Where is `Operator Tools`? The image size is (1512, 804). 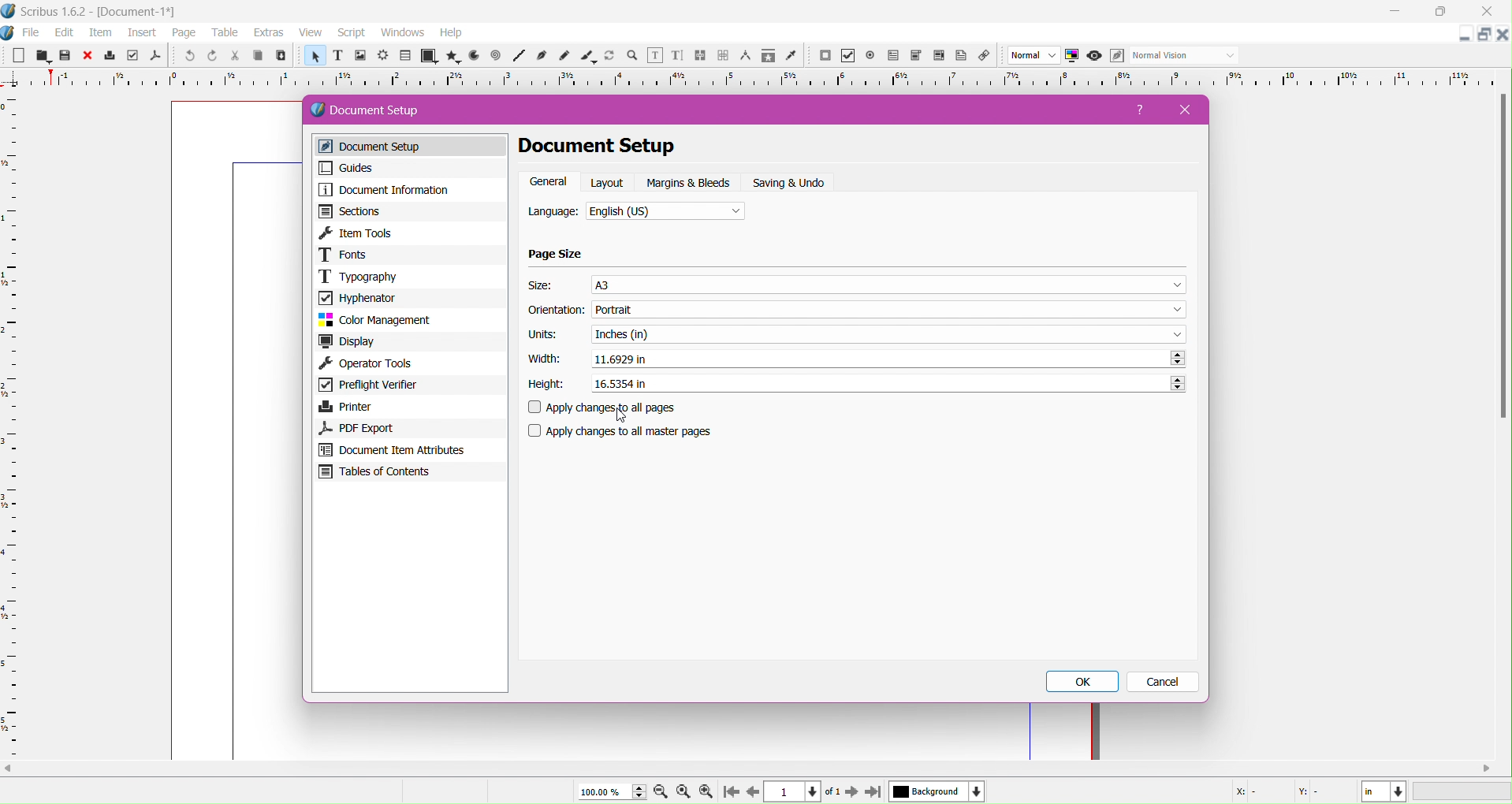 Operator Tools is located at coordinates (411, 364).